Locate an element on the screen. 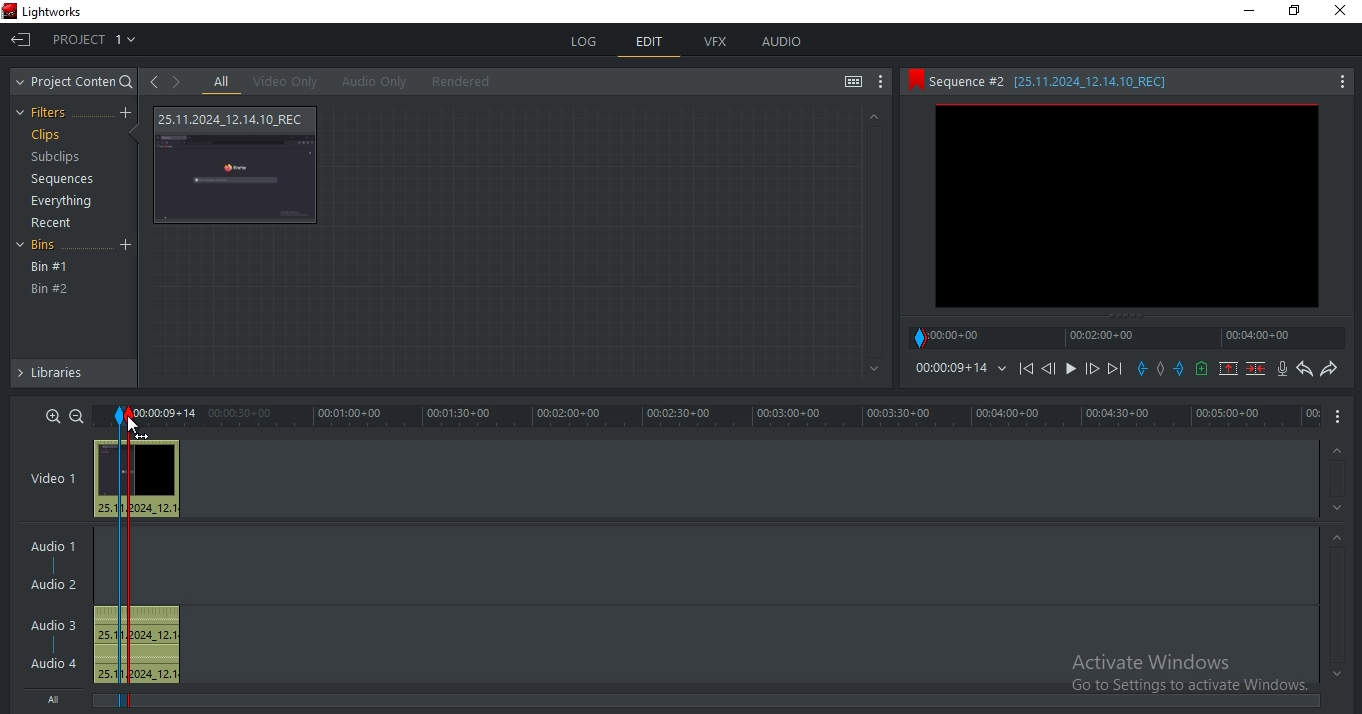  recent is located at coordinates (54, 223).